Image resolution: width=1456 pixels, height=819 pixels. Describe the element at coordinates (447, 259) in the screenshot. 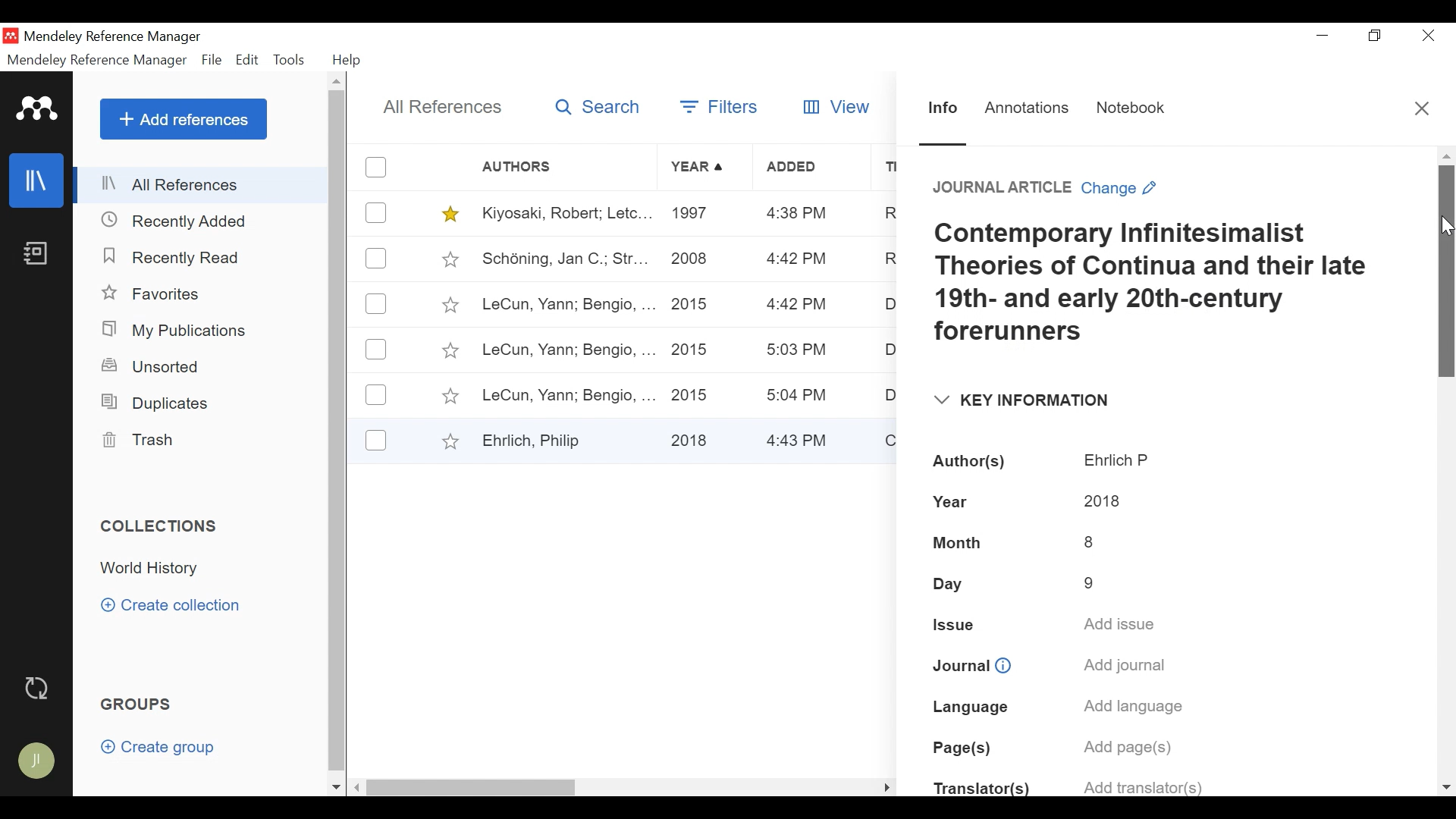

I see `(un)select favorite` at that location.